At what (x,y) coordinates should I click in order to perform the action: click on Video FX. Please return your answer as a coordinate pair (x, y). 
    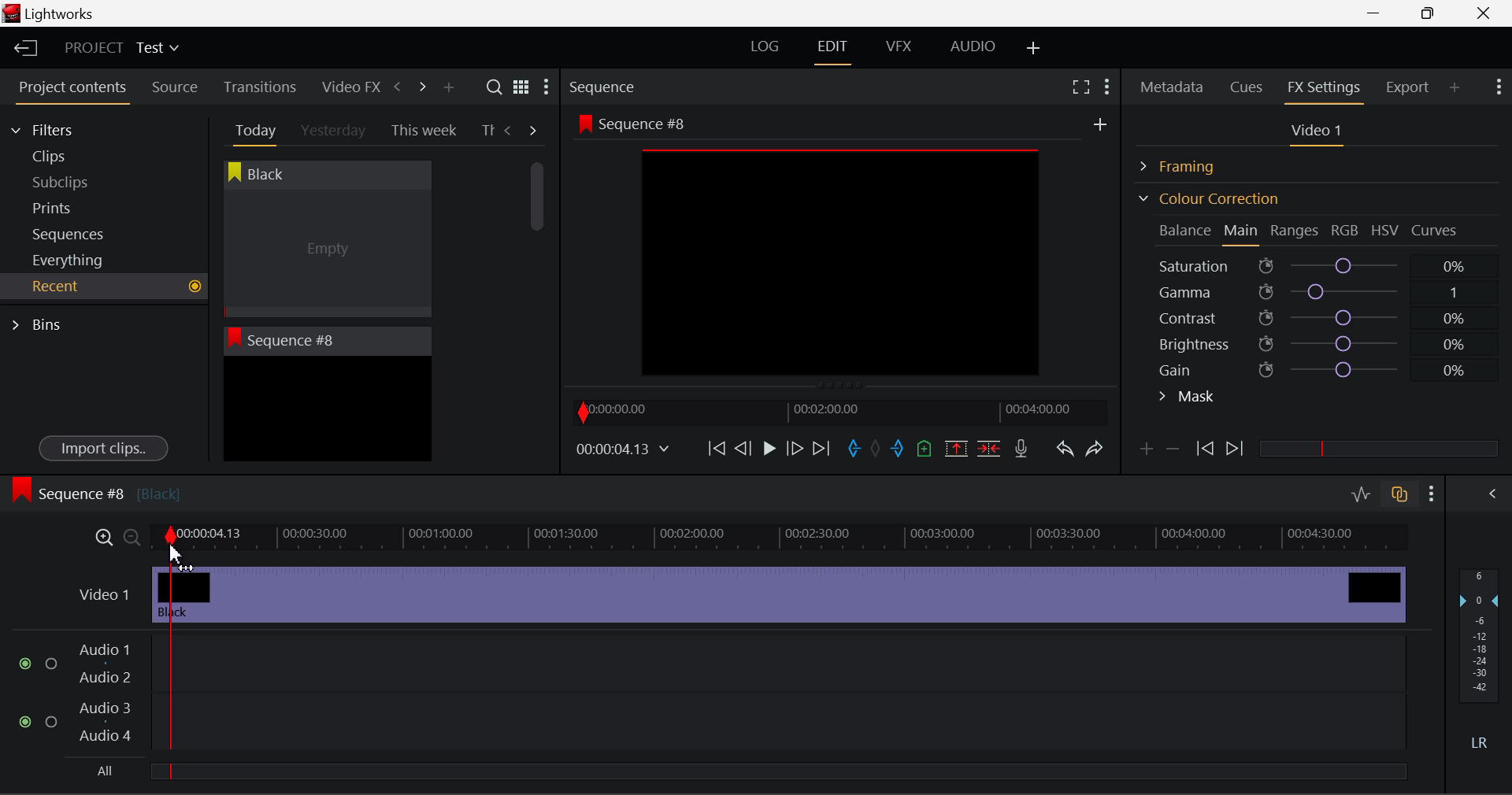
    Looking at the image, I should click on (346, 87).